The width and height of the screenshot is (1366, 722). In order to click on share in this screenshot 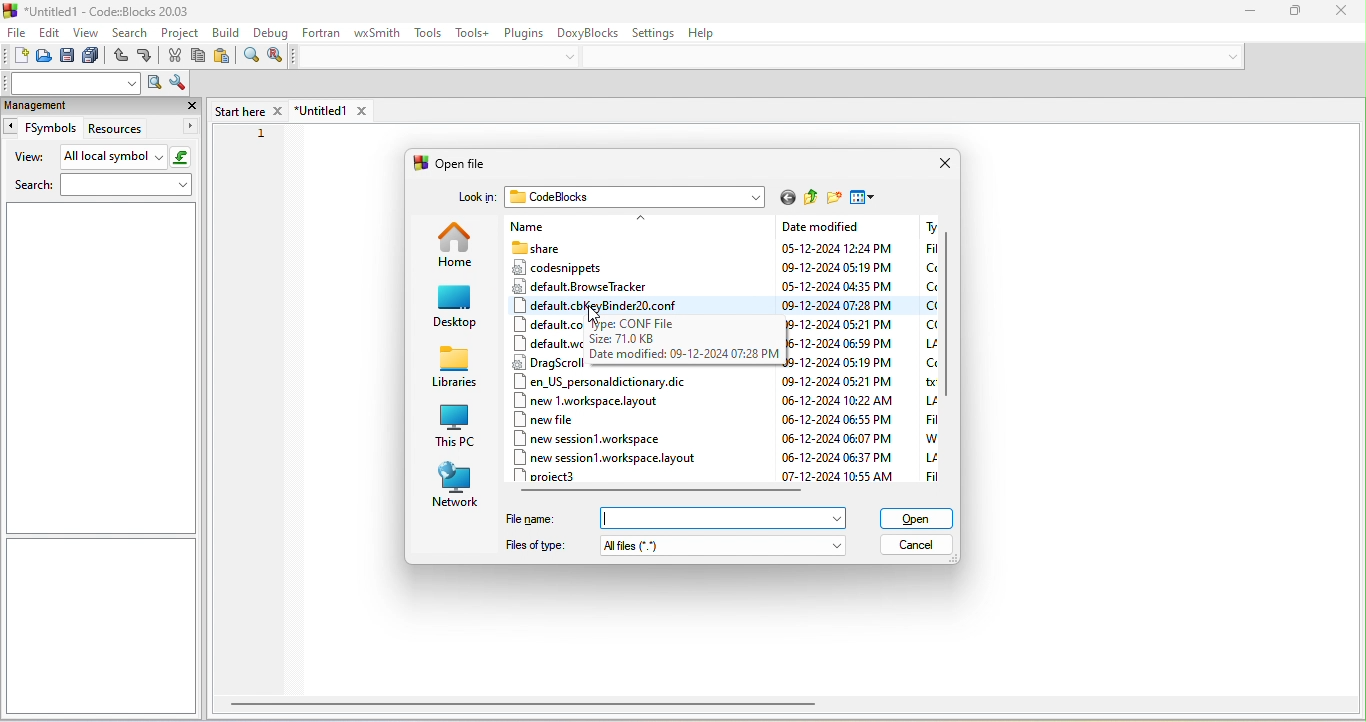, I will do `click(572, 246)`.